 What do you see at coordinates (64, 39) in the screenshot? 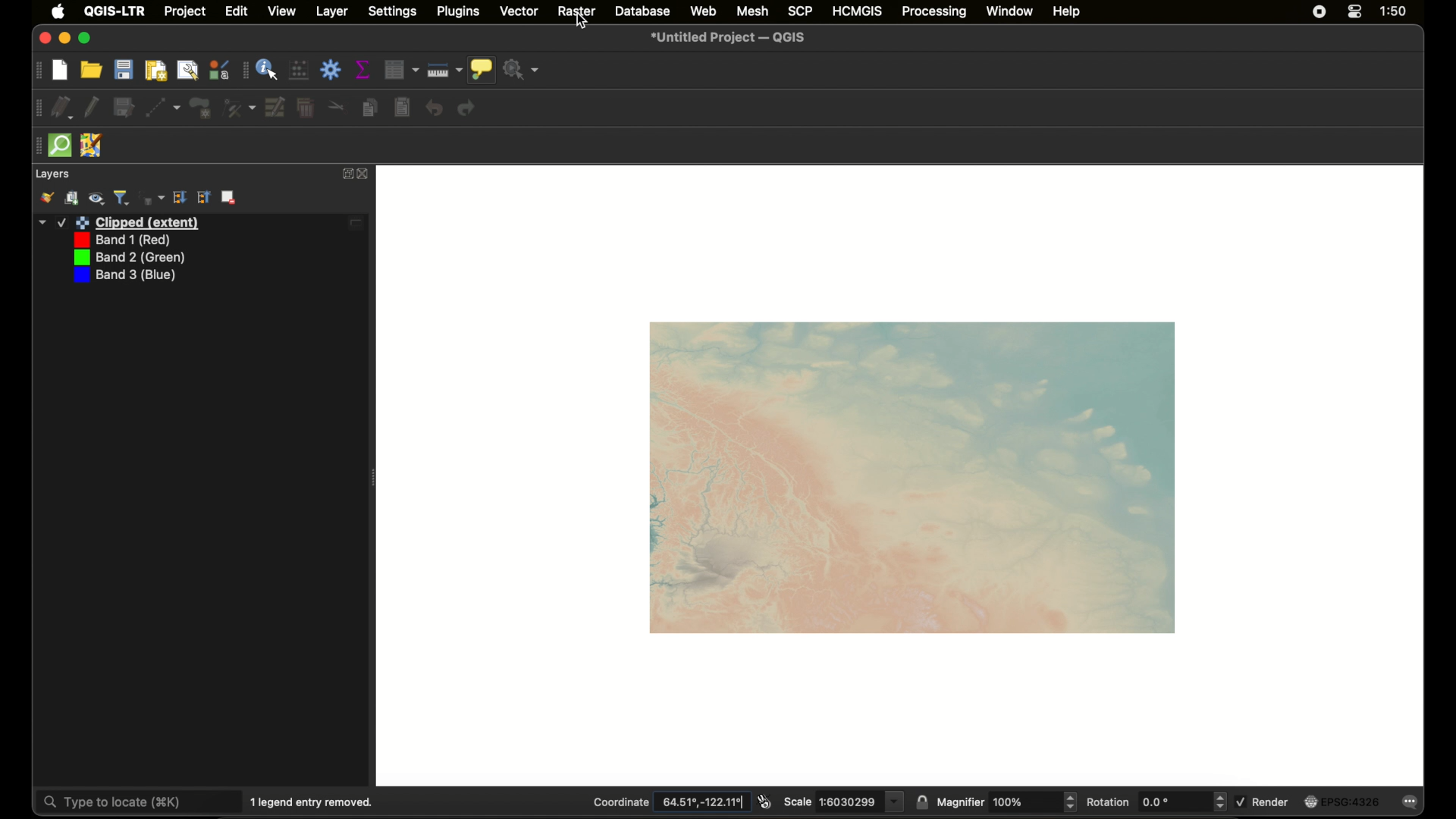
I see `minimize` at bounding box center [64, 39].